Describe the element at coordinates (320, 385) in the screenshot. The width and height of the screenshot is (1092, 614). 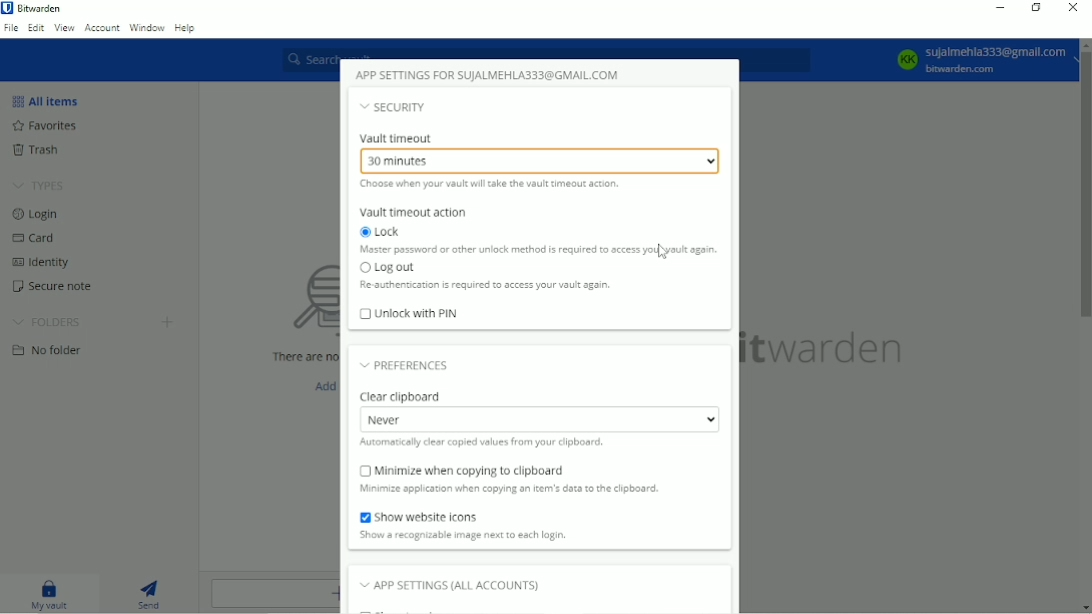
I see `Add item ` at that location.